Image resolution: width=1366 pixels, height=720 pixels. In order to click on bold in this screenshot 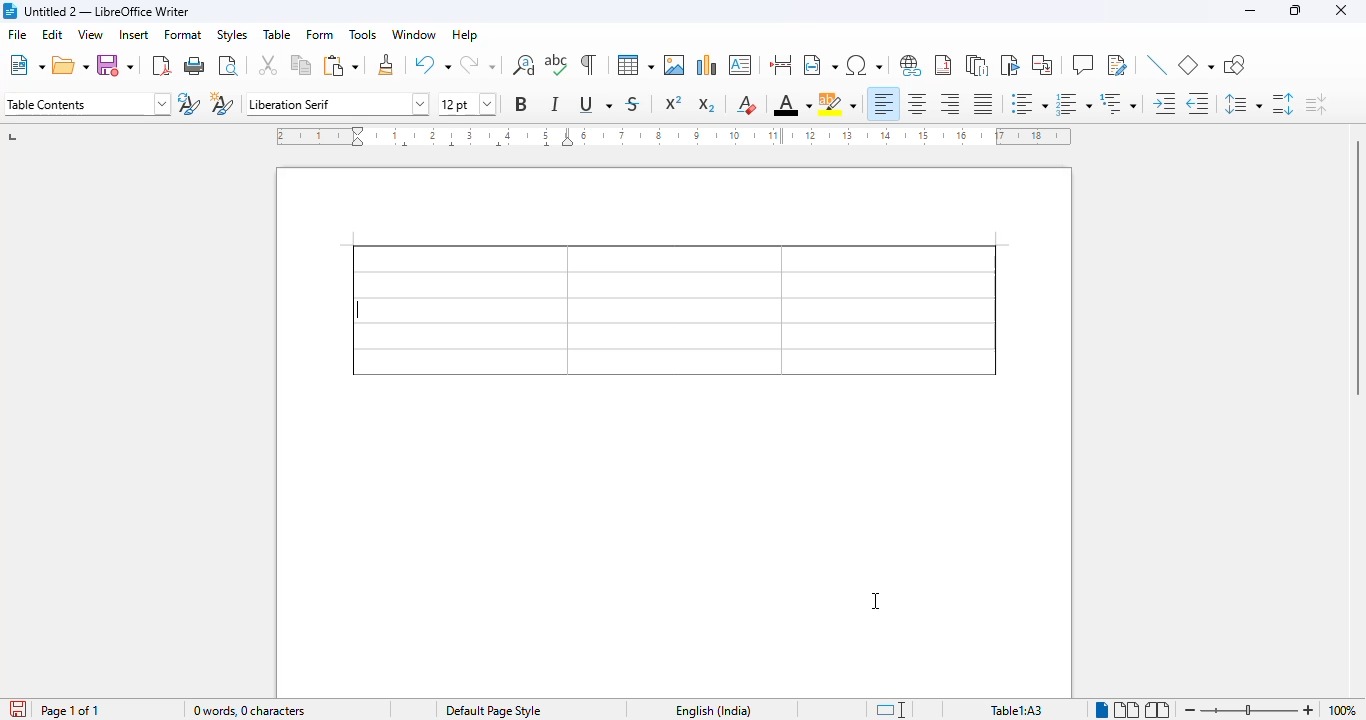, I will do `click(522, 103)`.